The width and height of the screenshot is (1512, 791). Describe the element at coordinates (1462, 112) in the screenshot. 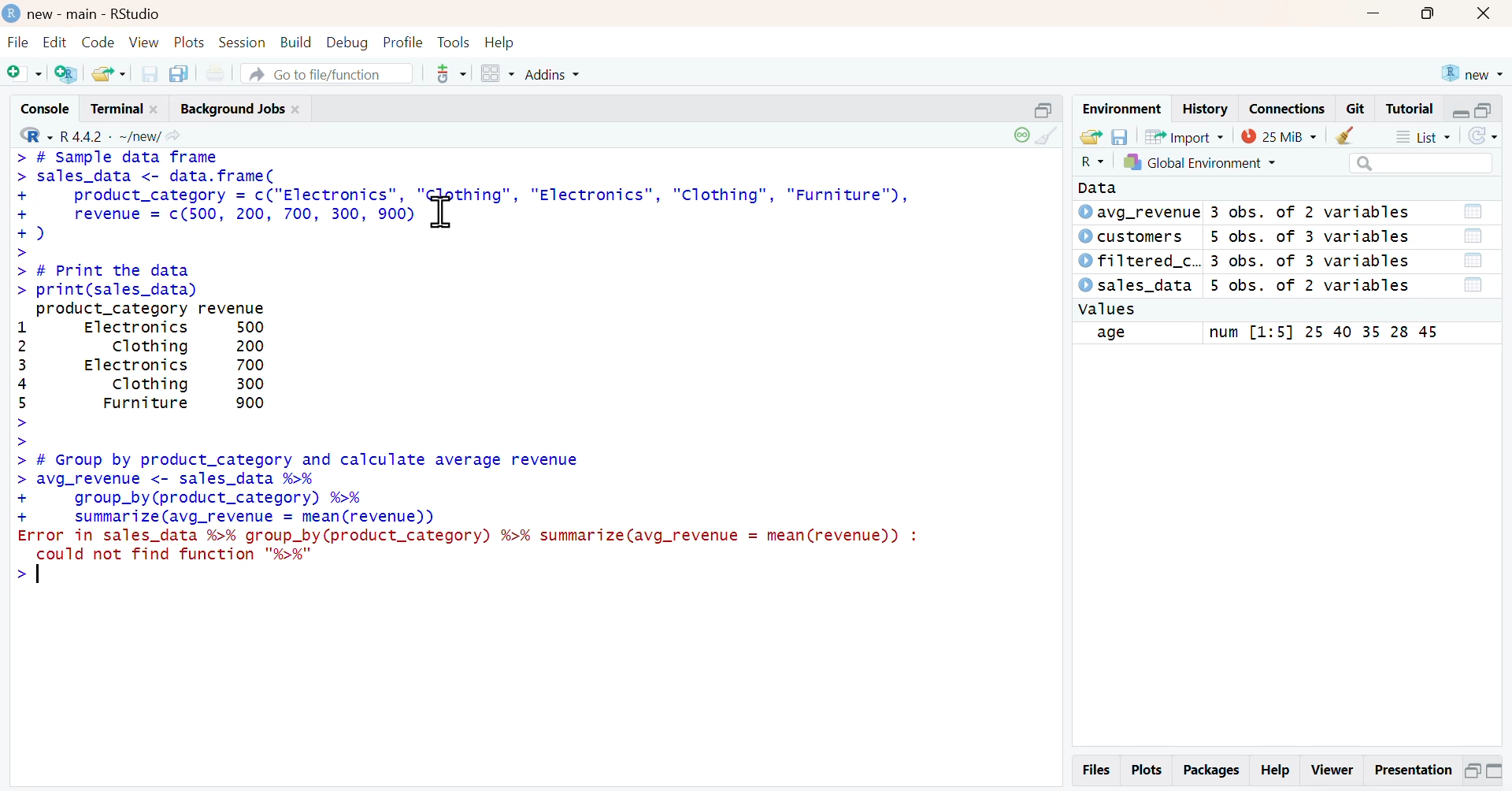

I see `minimize pane` at that location.